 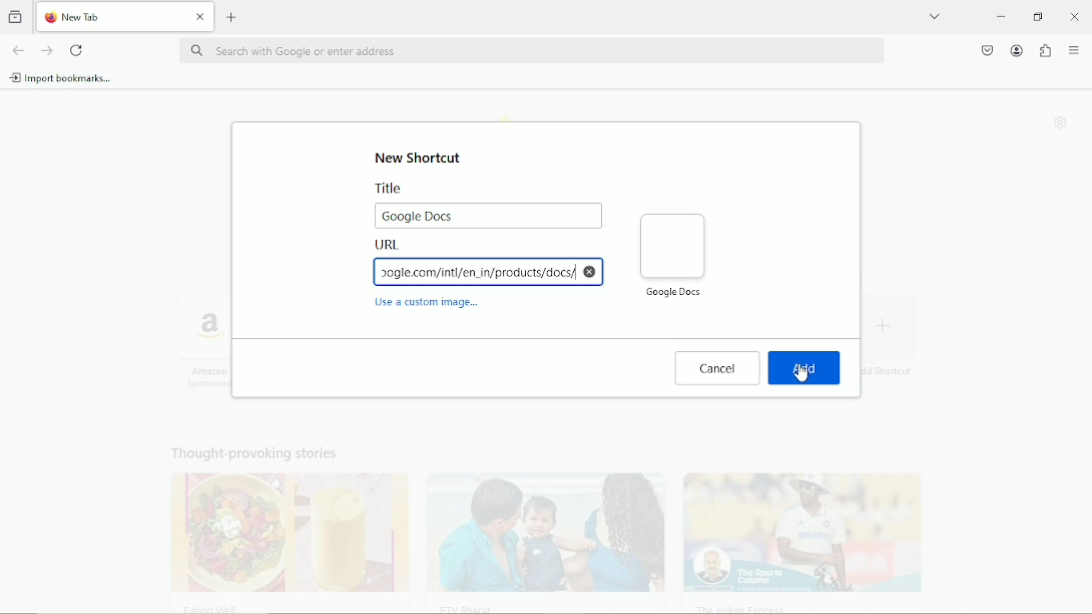 What do you see at coordinates (421, 157) in the screenshot?
I see `New shortcut` at bounding box center [421, 157].